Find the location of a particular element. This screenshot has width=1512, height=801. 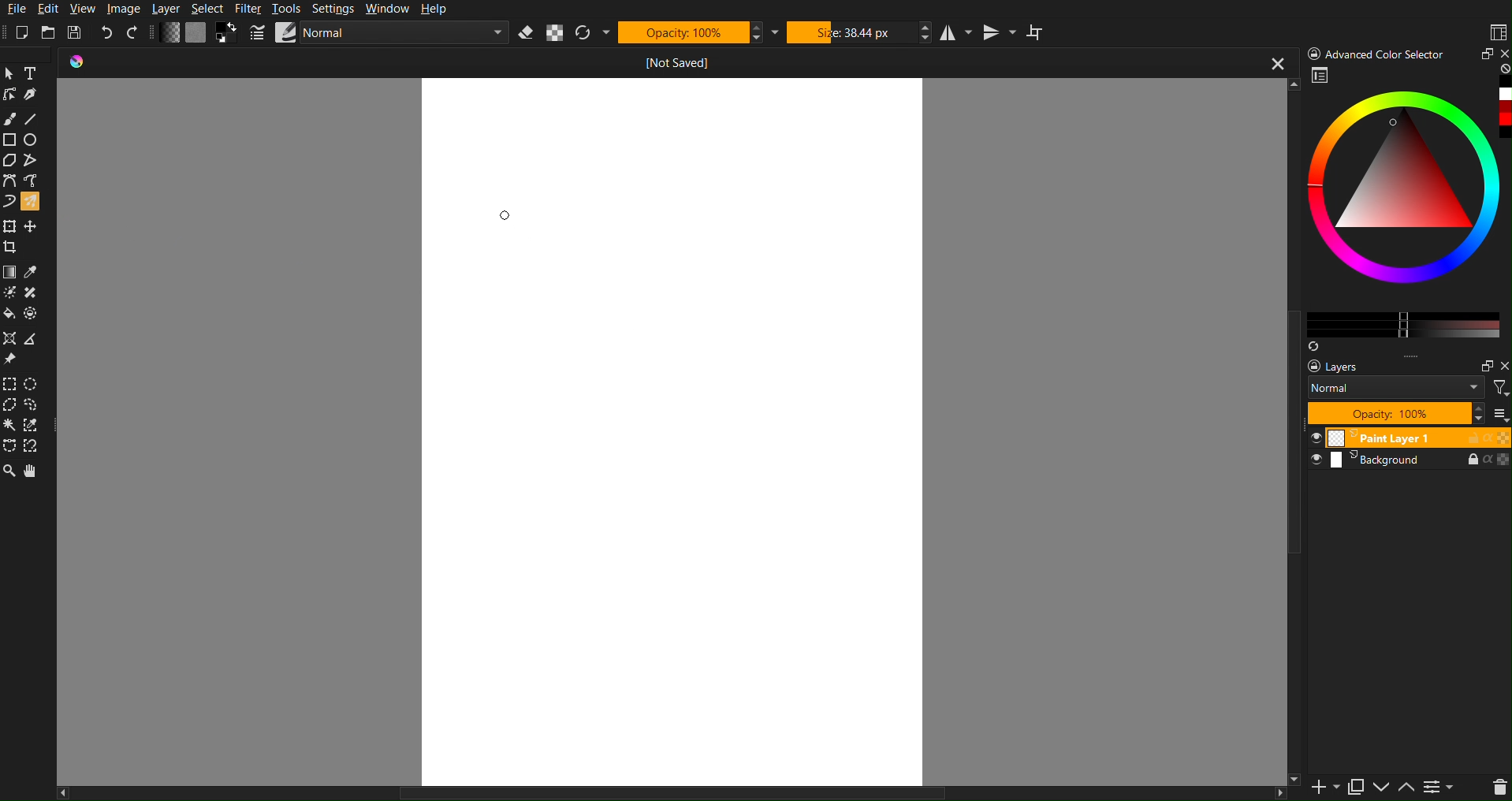

Wrap Around Mode is located at coordinates (1036, 32).